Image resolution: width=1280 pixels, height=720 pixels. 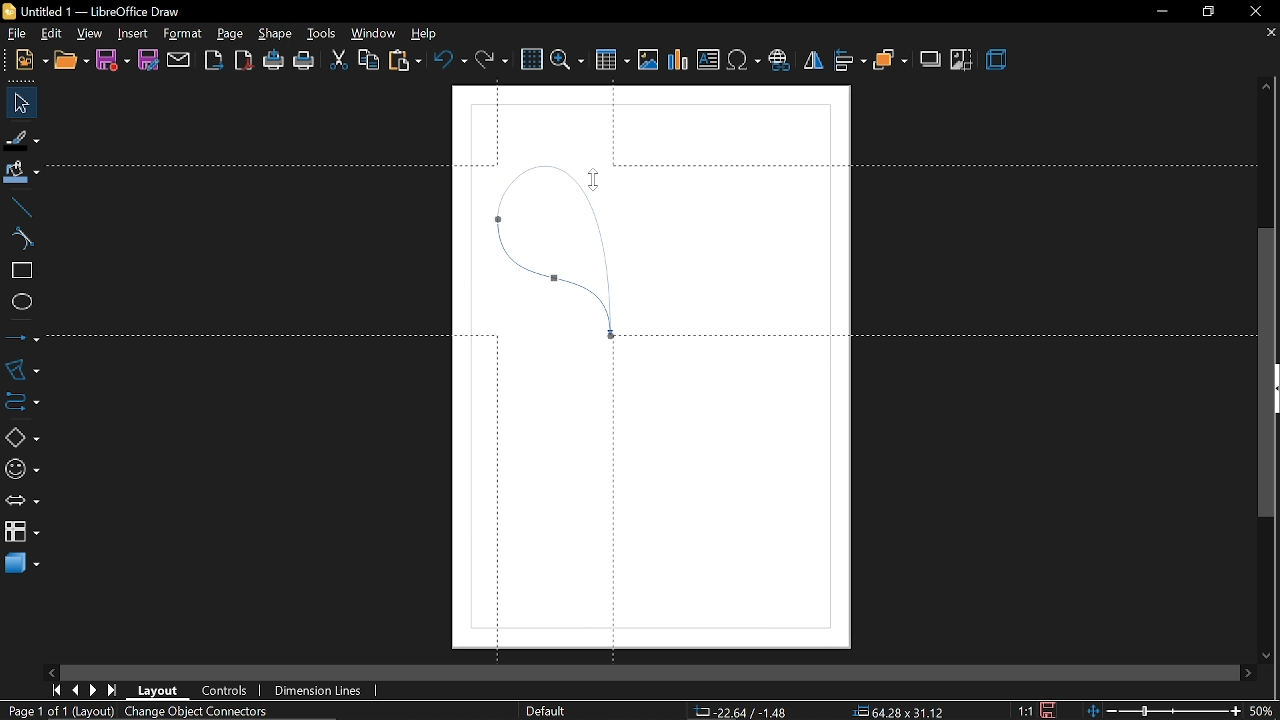 What do you see at coordinates (900, 710) in the screenshot?
I see `64.28x31.12` at bounding box center [900, 710].